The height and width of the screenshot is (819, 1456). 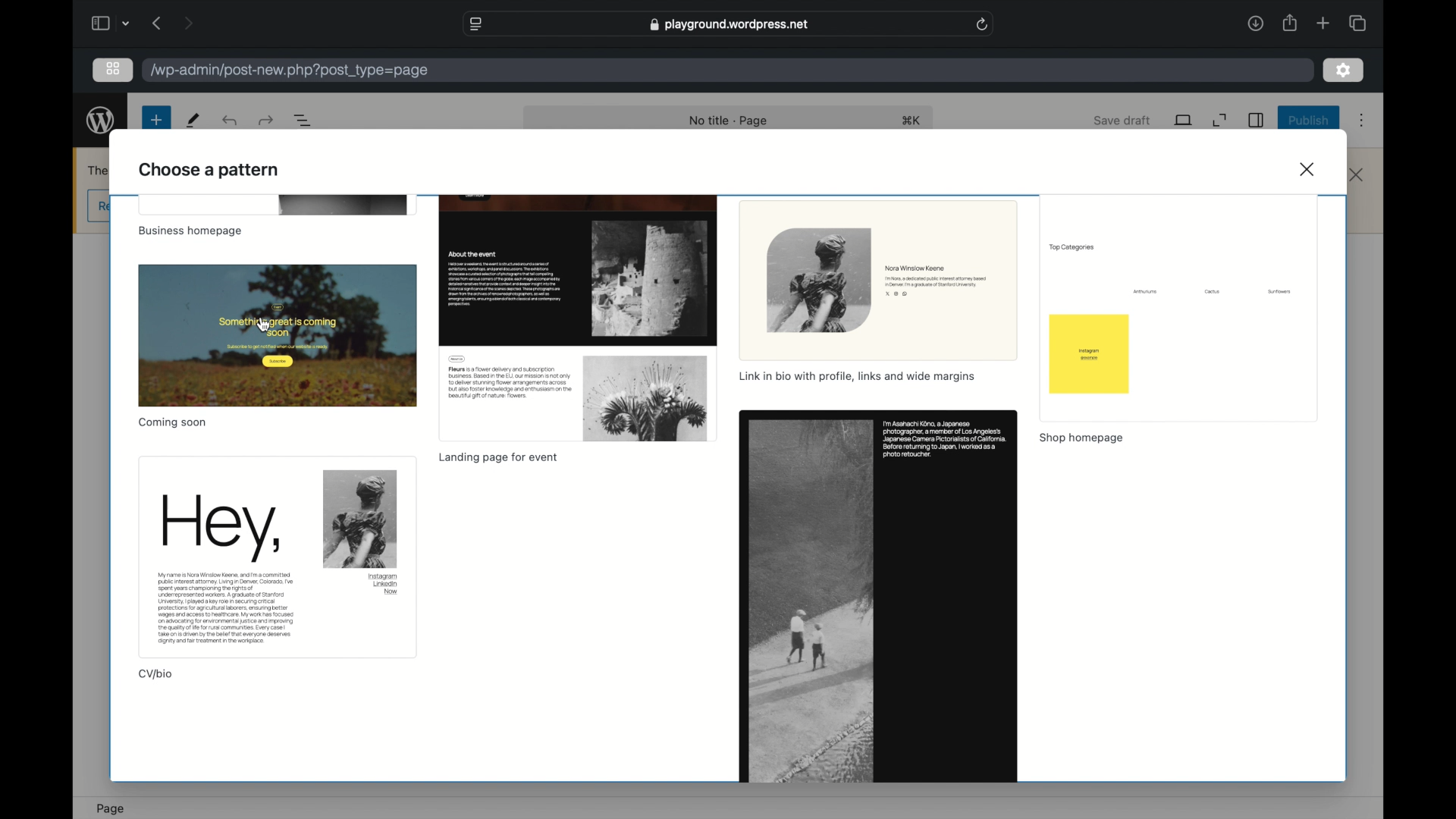 What do you see at coordinates (1255, 23) in the screenshot?
I see `downloads` at bounding box center [1255, 23].